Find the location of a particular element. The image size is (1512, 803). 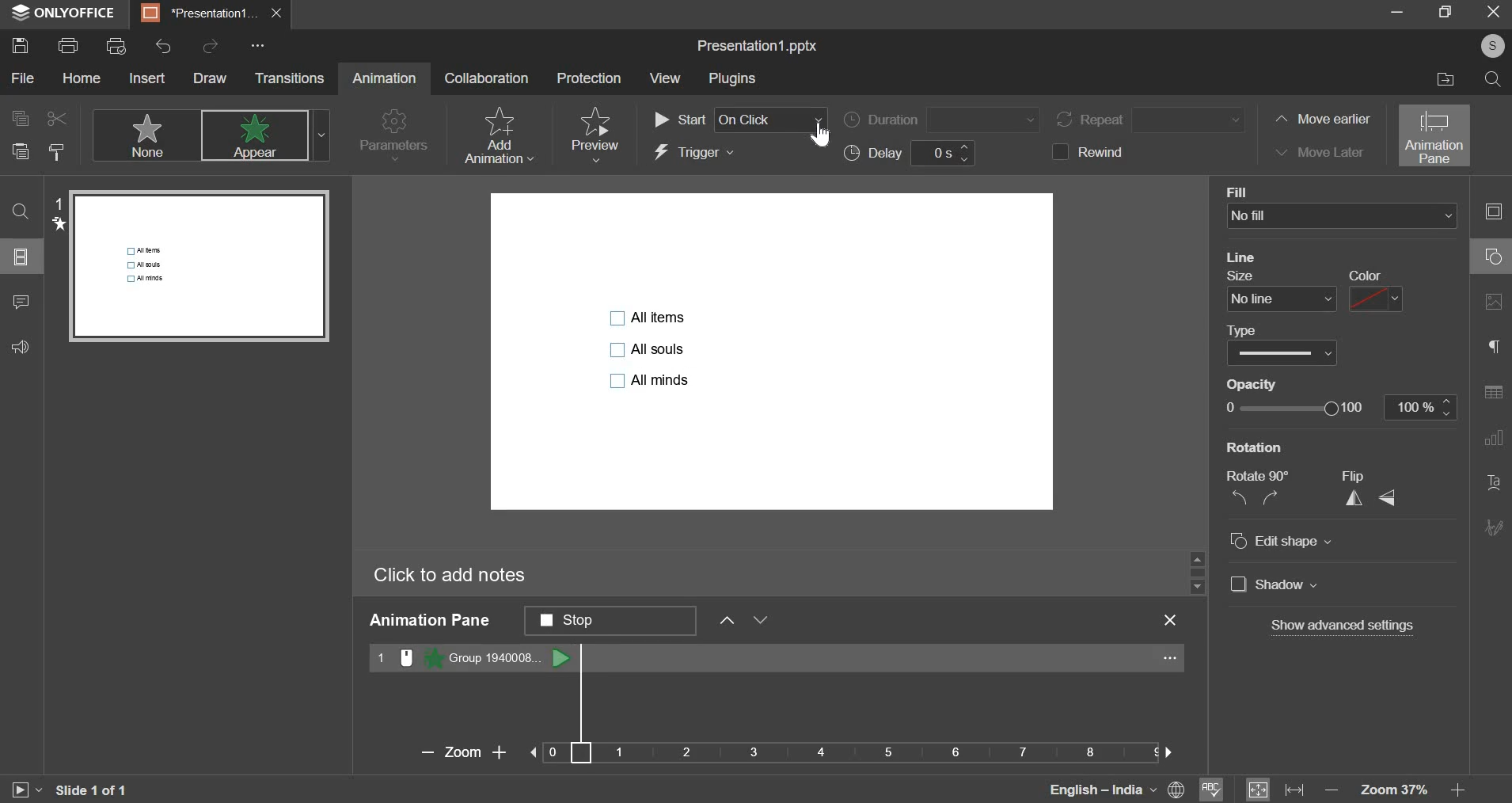

preview is located at coordinates (594, 134).